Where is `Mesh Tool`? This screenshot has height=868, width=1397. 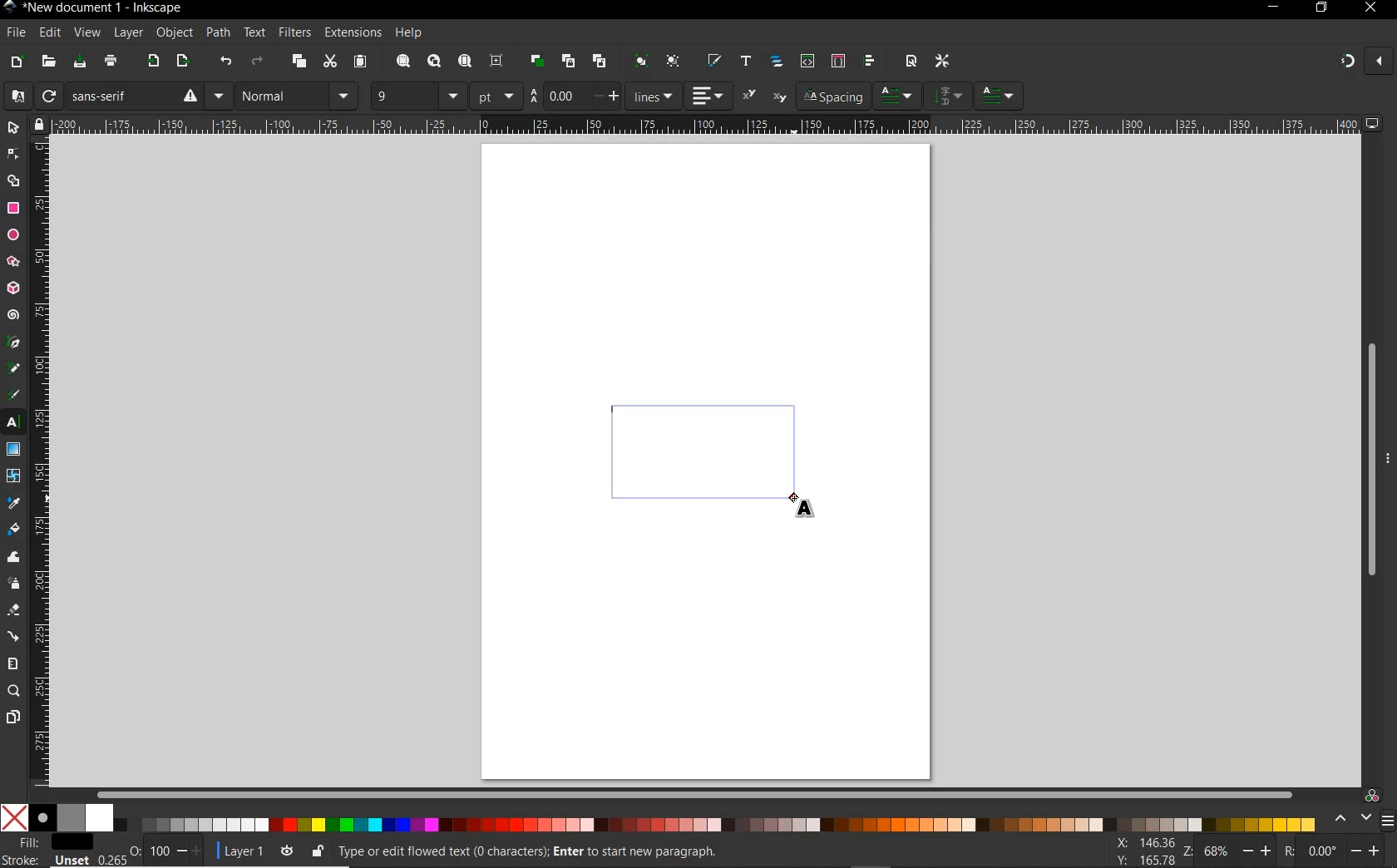 Mesh Tool is located at coordinates (14, 476).